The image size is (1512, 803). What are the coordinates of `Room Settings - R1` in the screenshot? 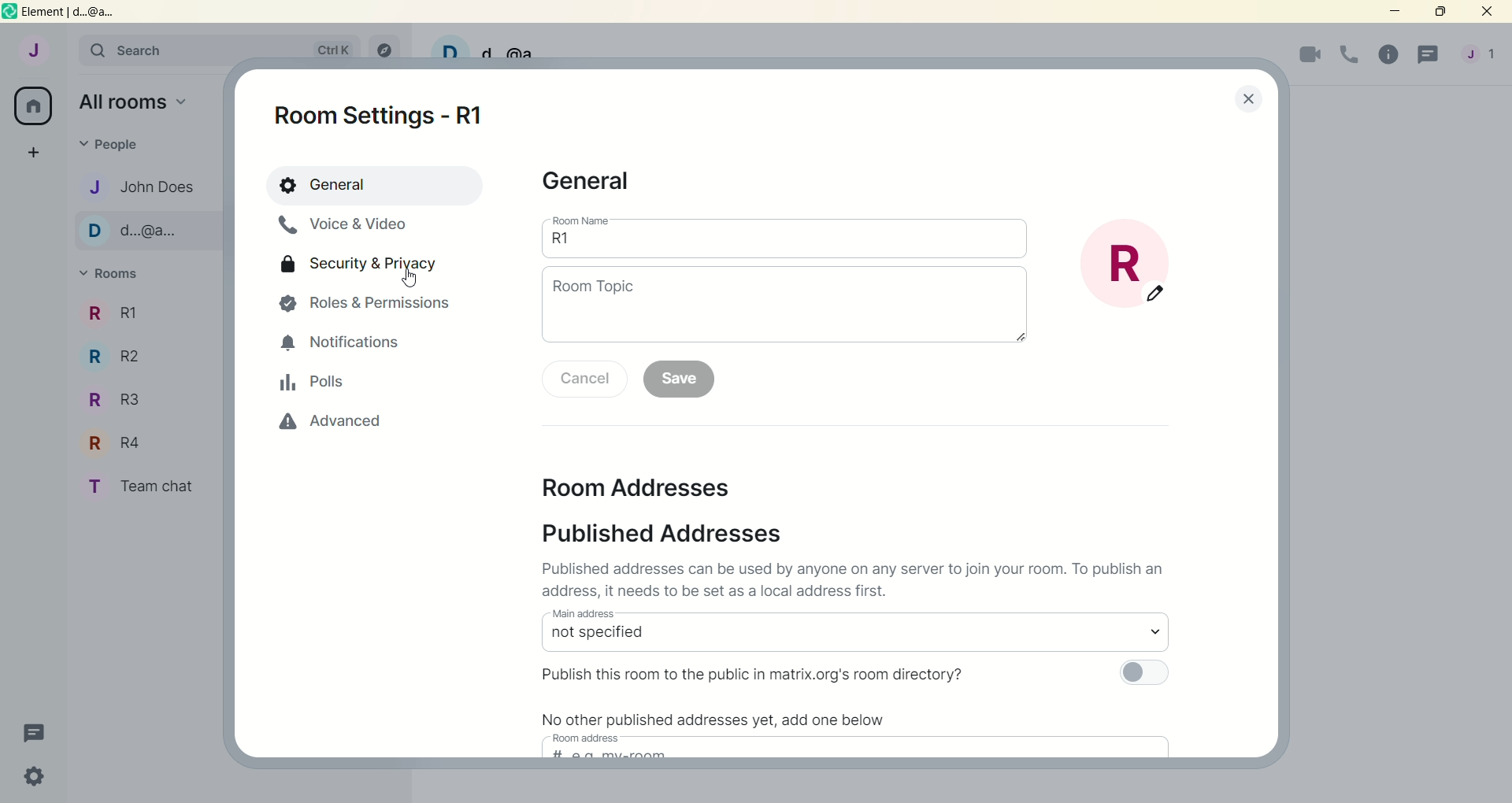 It's located at (383, 117).